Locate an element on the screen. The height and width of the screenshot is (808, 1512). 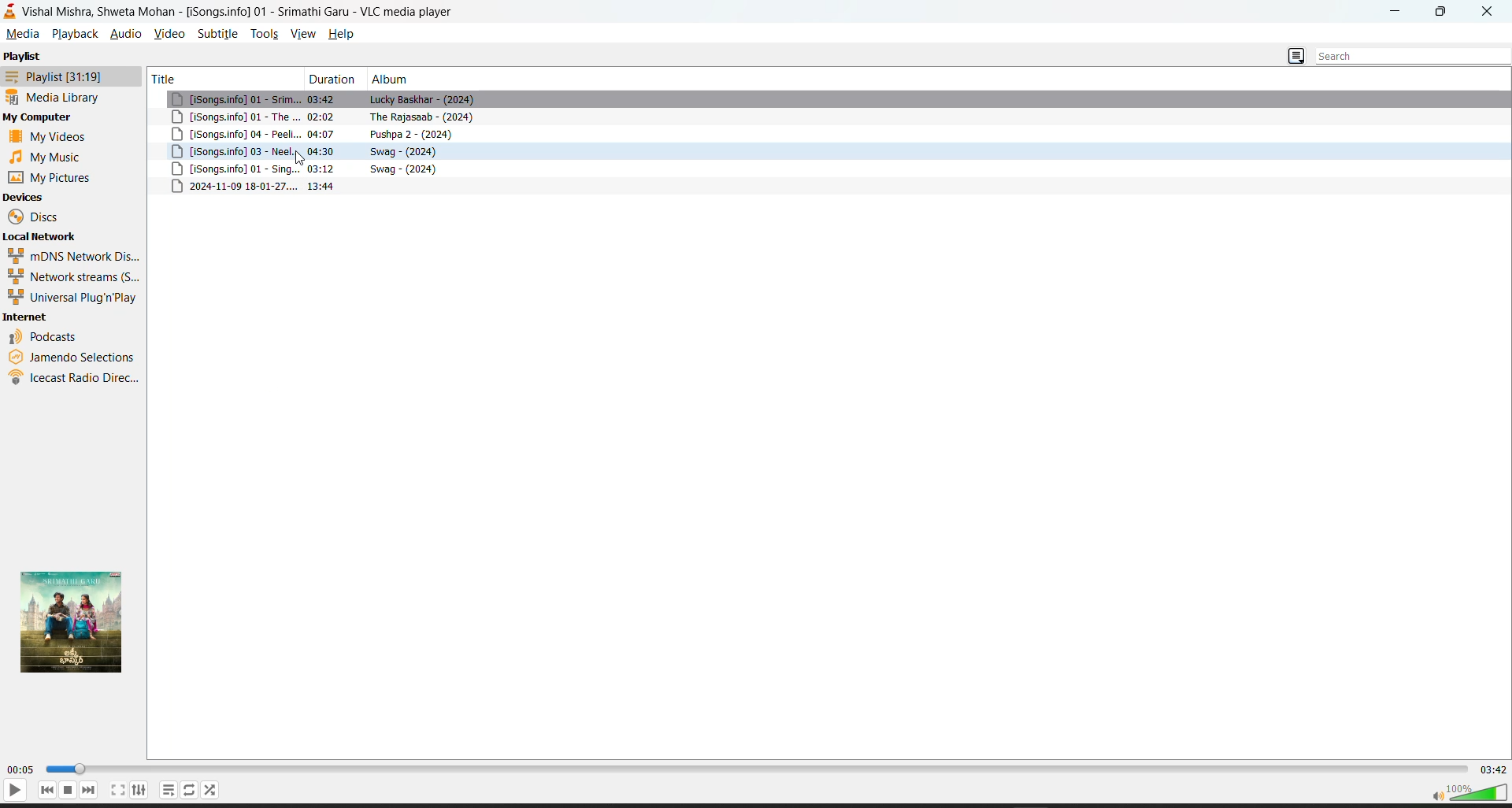
thumbnail is located at coordinates (78, 623).